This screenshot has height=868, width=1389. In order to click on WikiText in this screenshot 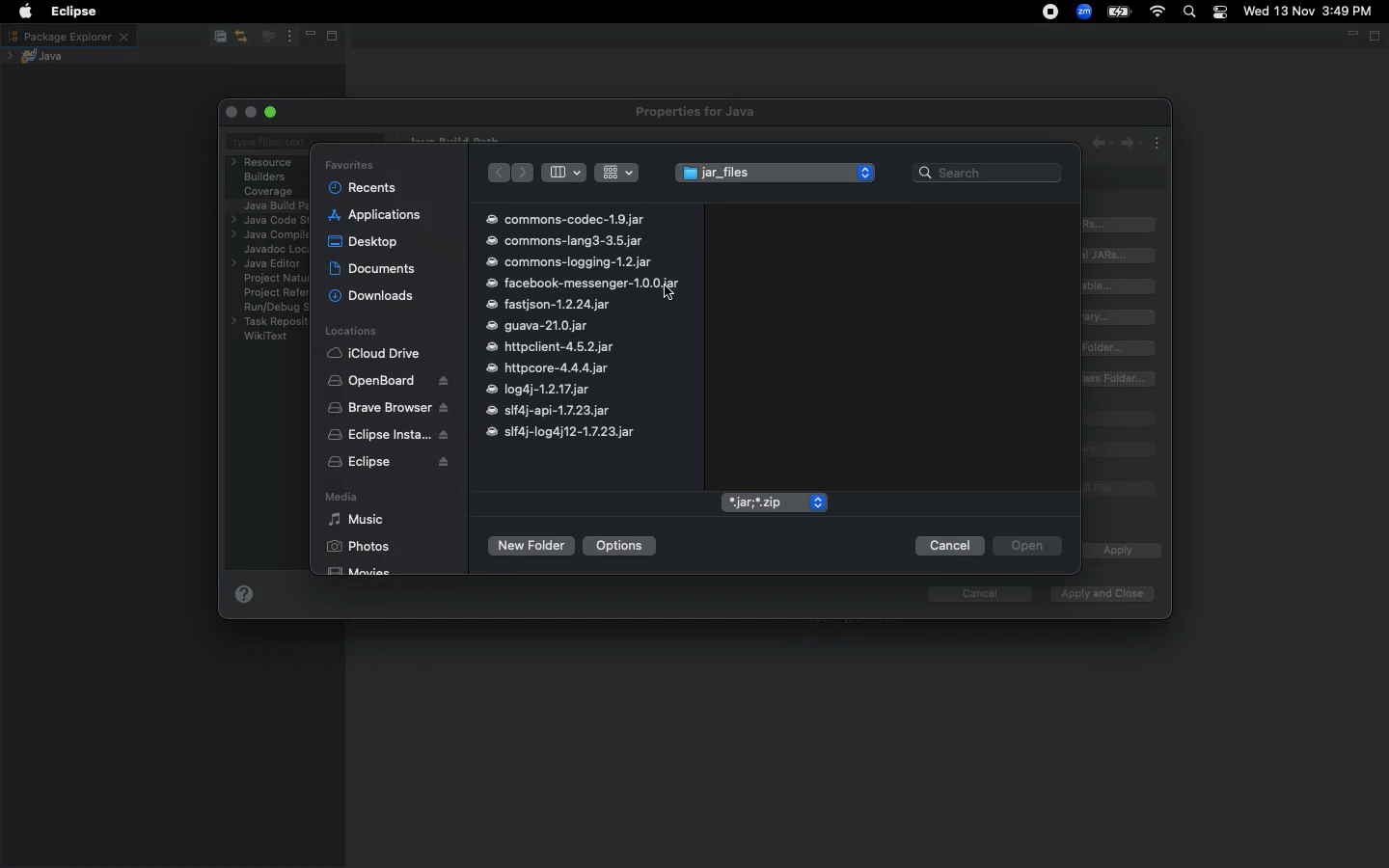, I will do `click(266, 336)`.